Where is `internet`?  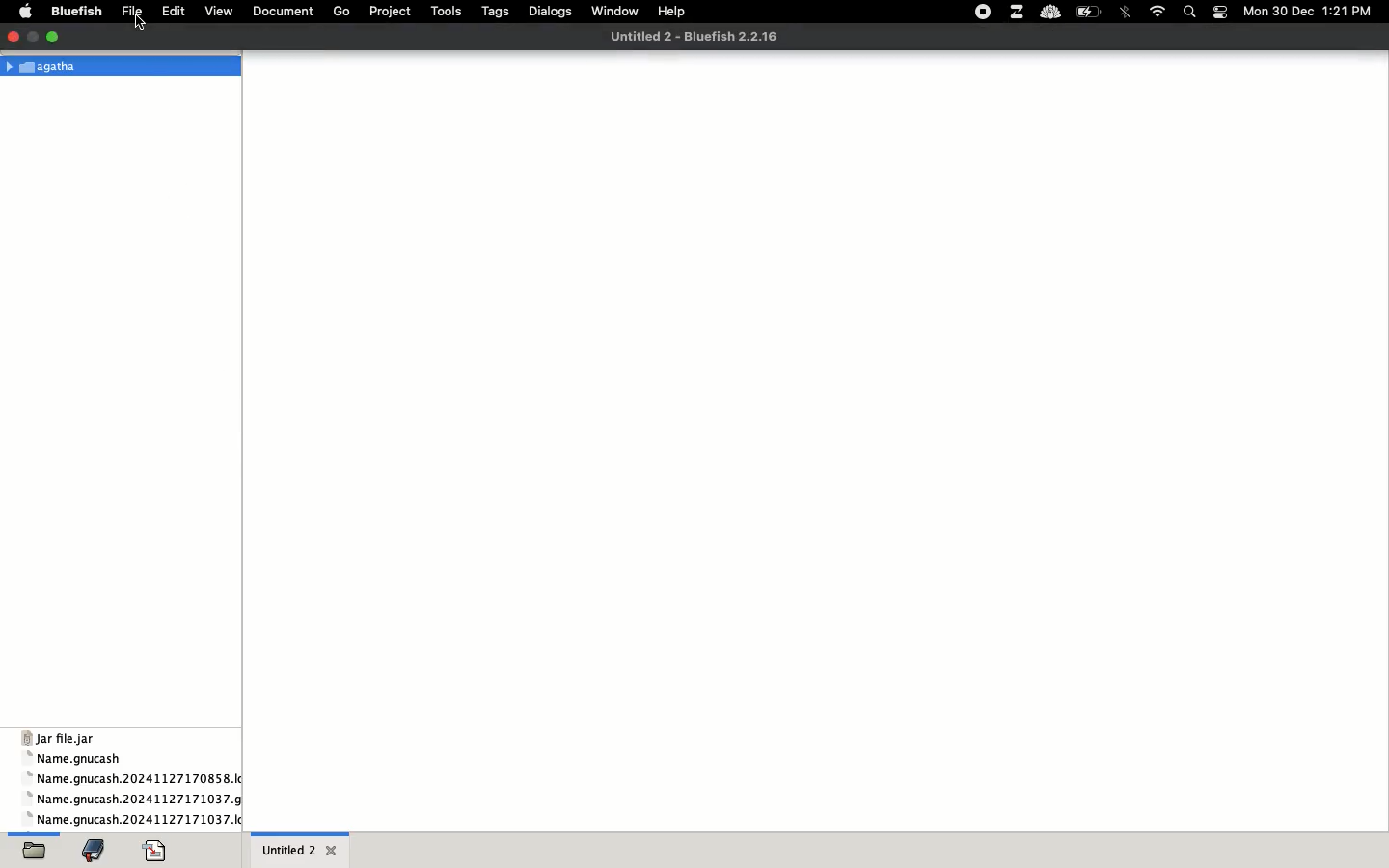 internet is located at coordinates (1158, 12).